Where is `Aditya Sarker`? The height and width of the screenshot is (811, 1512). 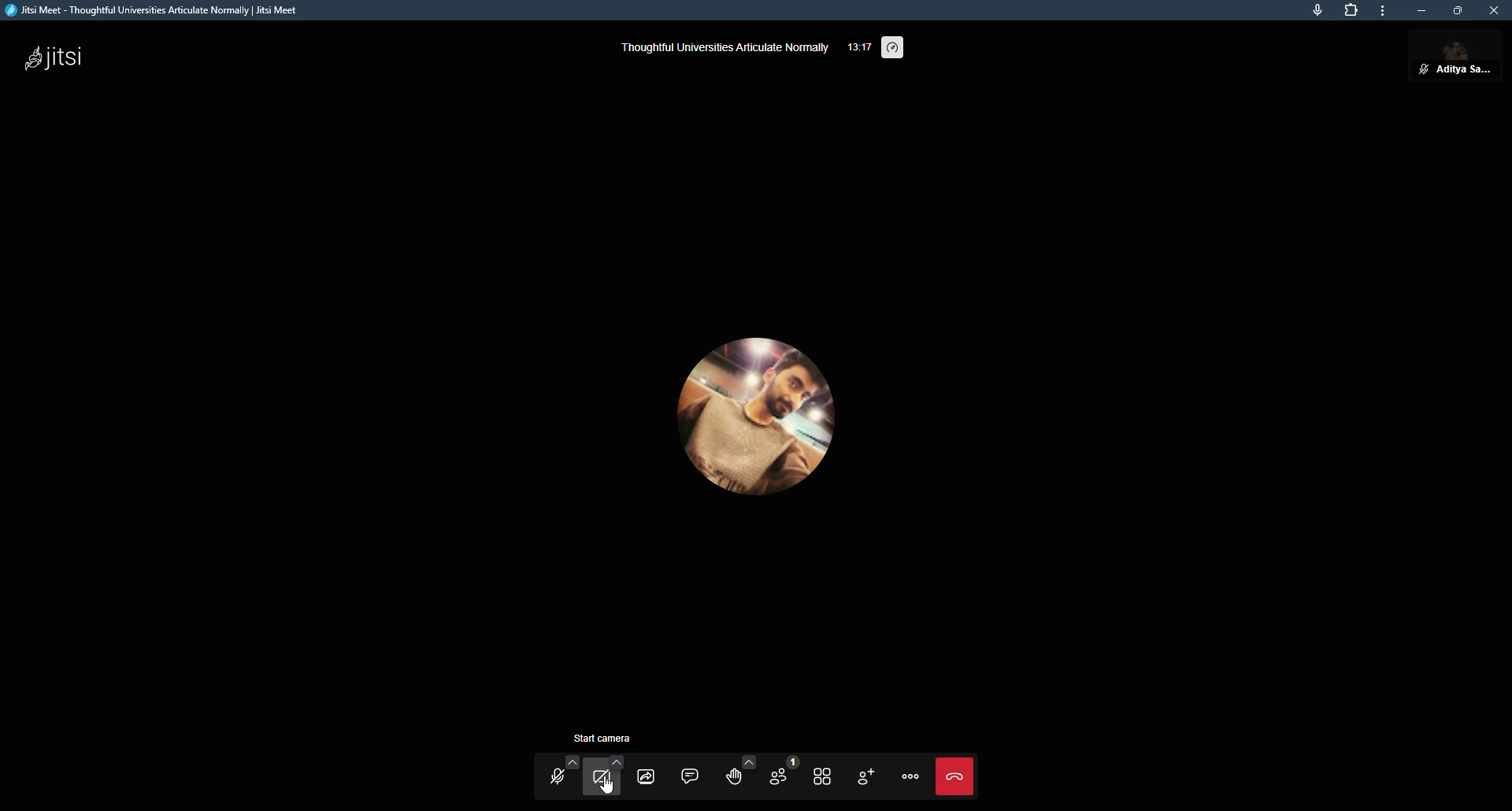 Aditya Sarker is located at coordinates (1451, 59).